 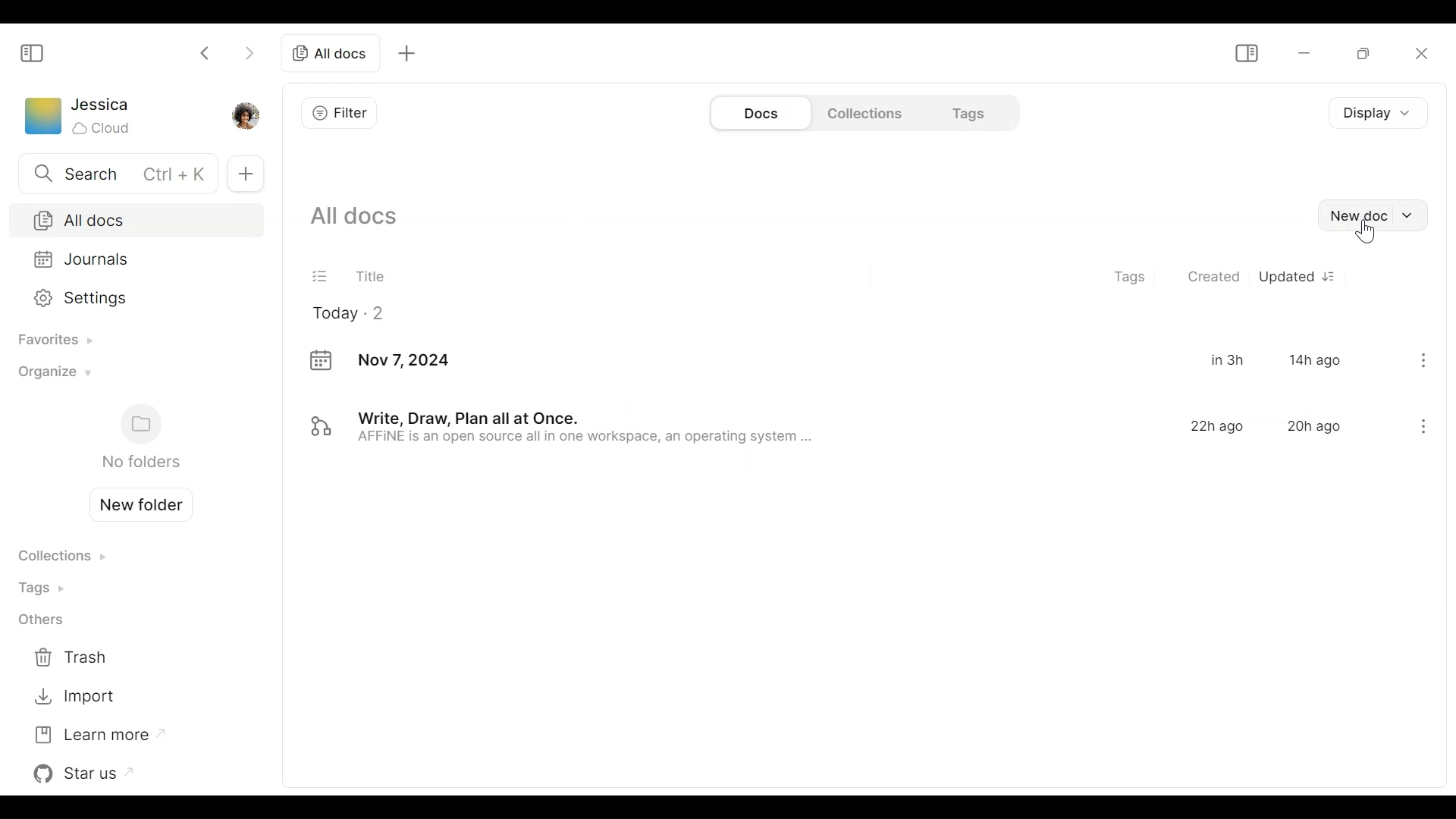 What do you see at coordinates (42, 119) in the screenshot?
I see `Workspace` at bounding box center [42, 119].